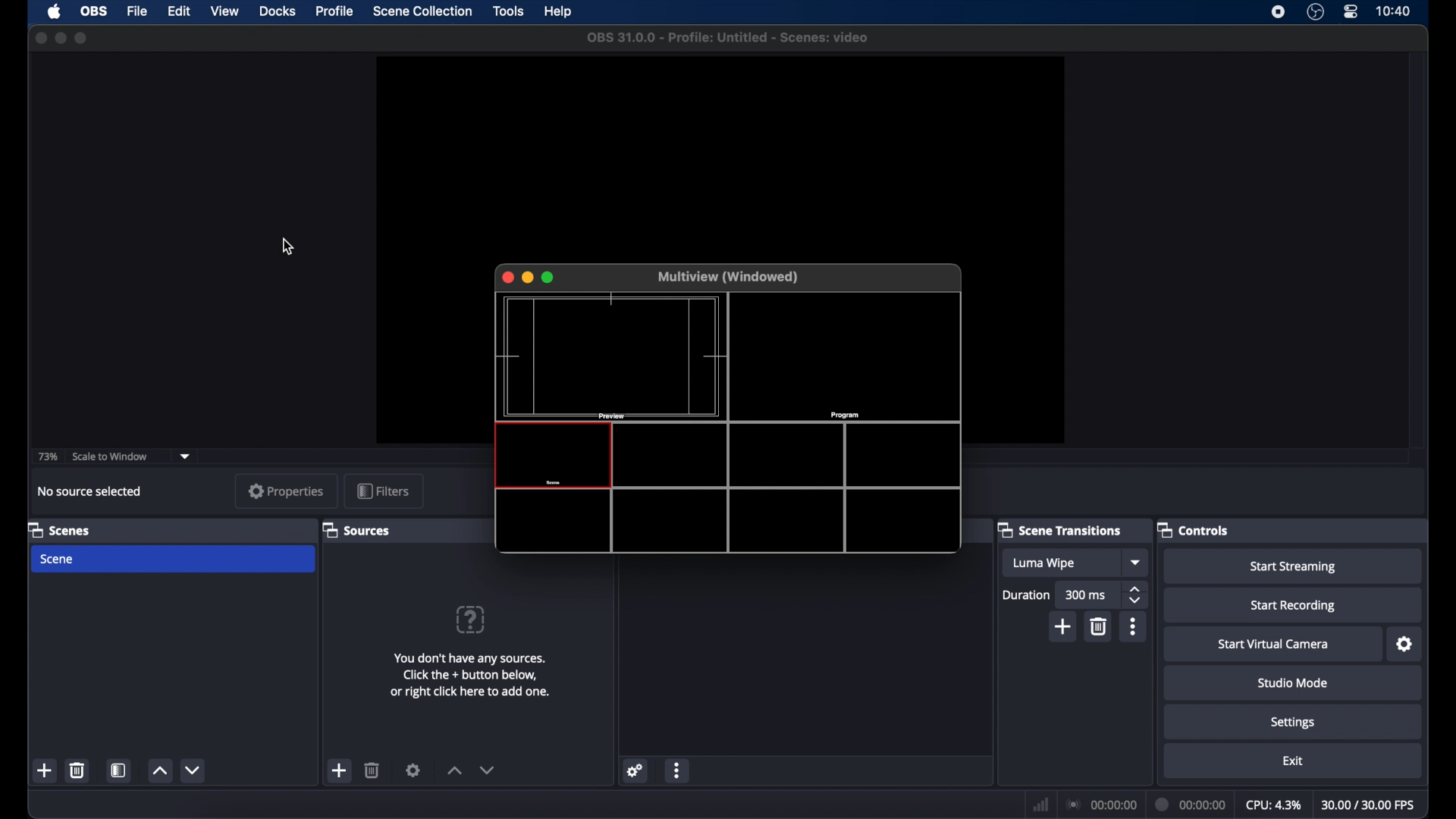 The width and height of the screenshot is (1456, 819). What do you see at coordinates (1351, 12) in the screenshot?
I see `control center` at bounding box center [1351, 12].